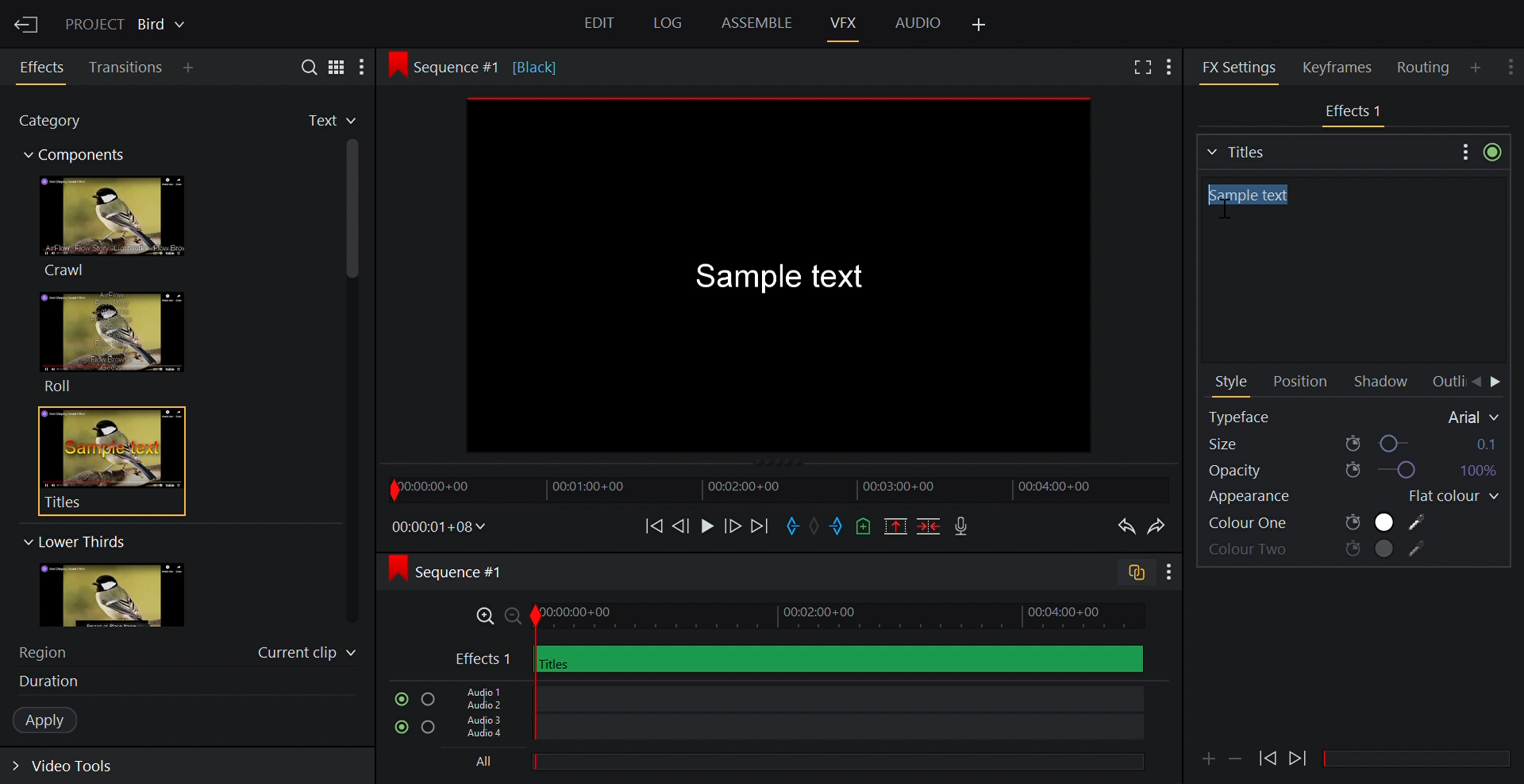  Describe the element at coordinates (128, 22) in the screenshot. I see `Show/Change current project details` at that location.